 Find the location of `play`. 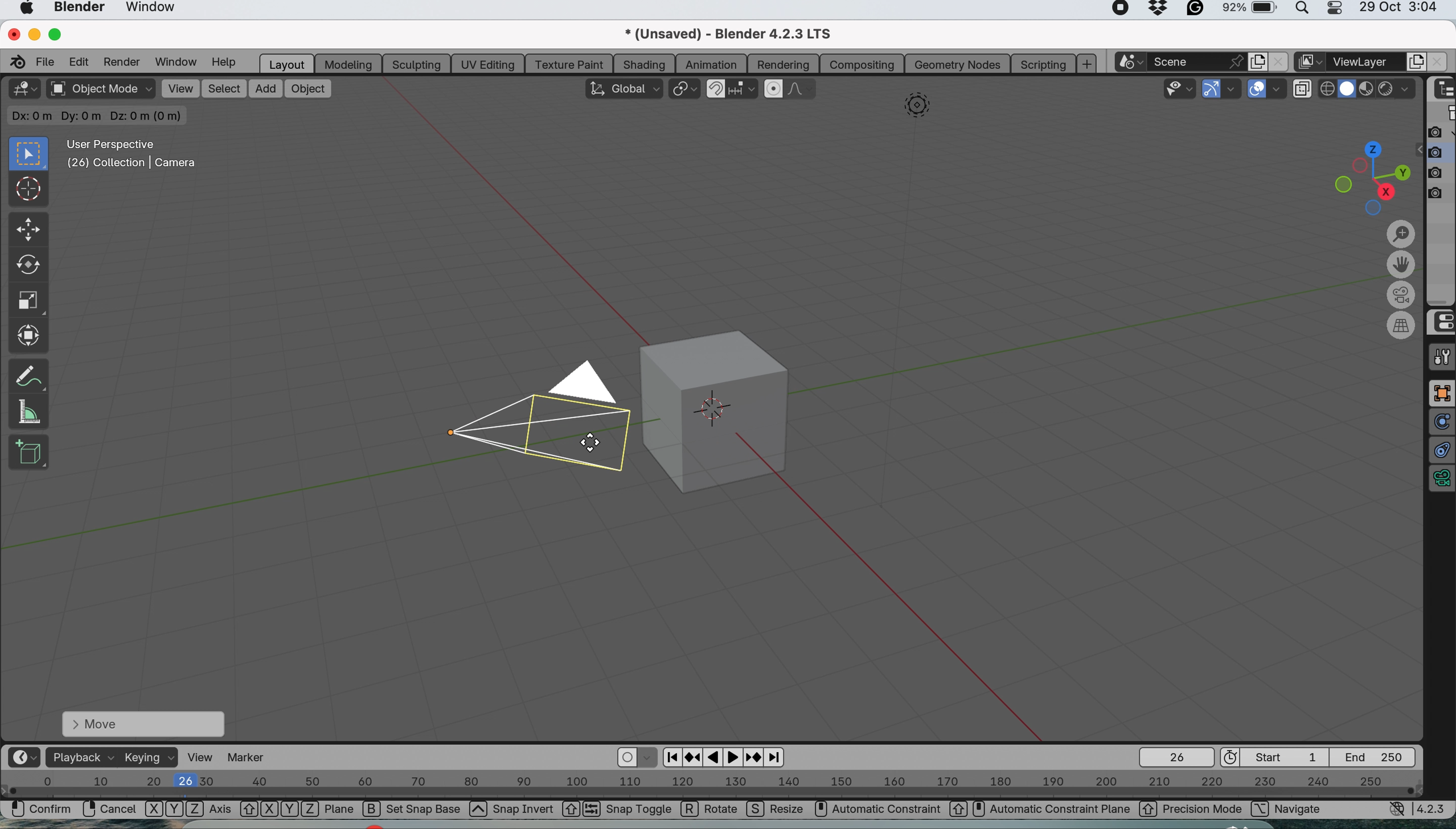

play is located at coordinates (735, 757).